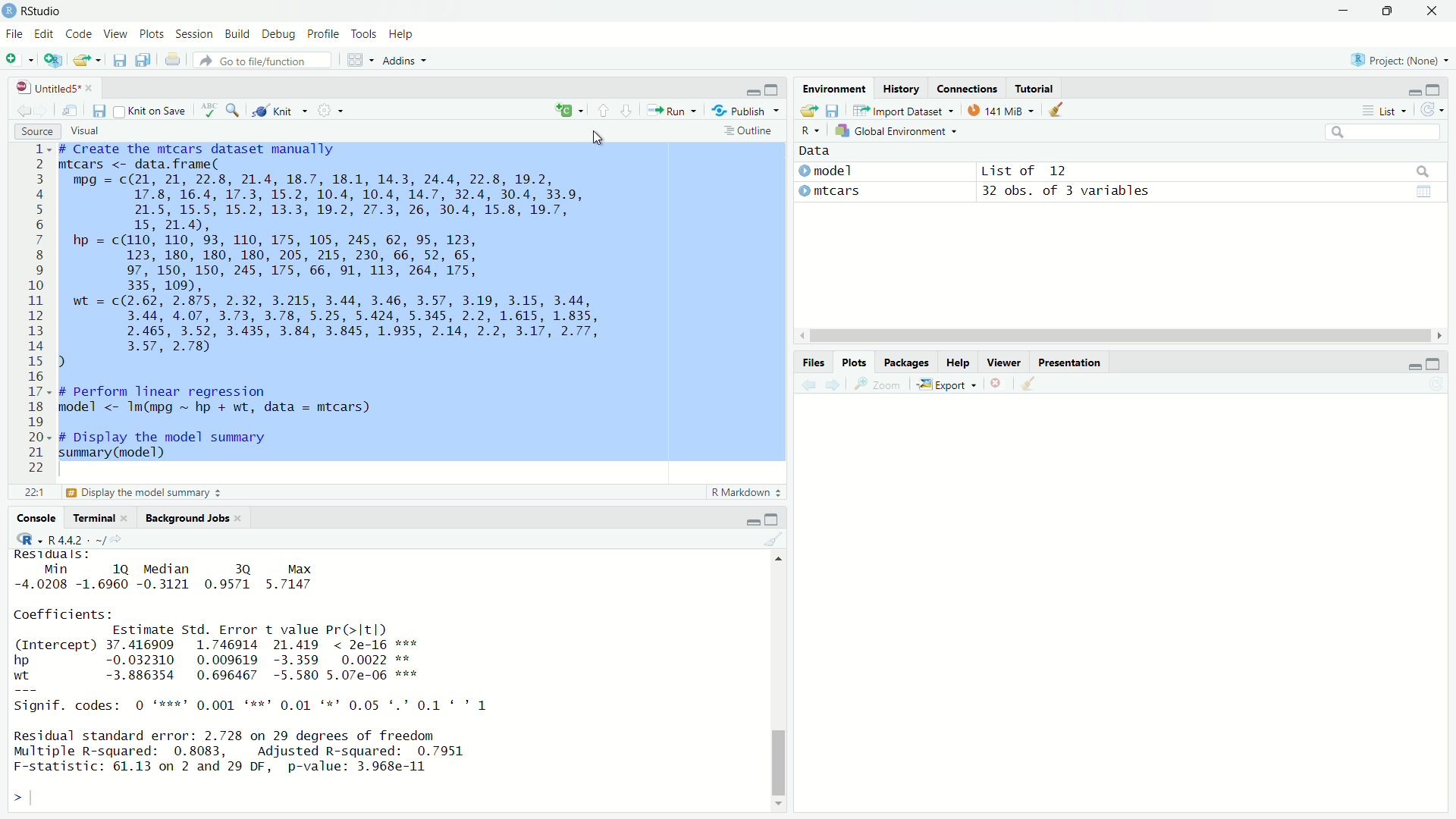 The height and width of the screenshot is (819, 1456). I want to click on go forward, so click(43, 112).